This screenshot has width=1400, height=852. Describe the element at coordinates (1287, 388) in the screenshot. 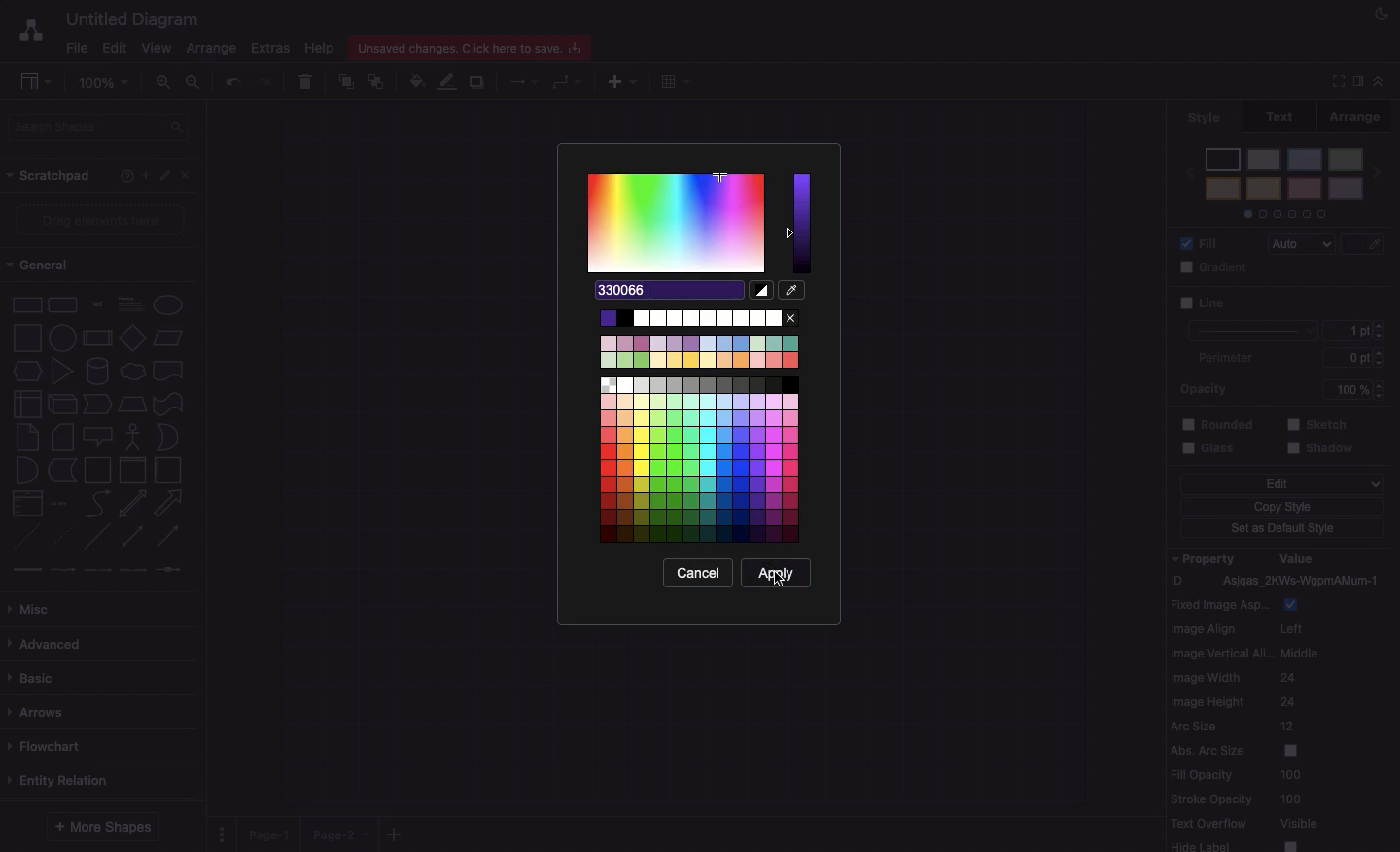

I see `Opacity ` at that location.